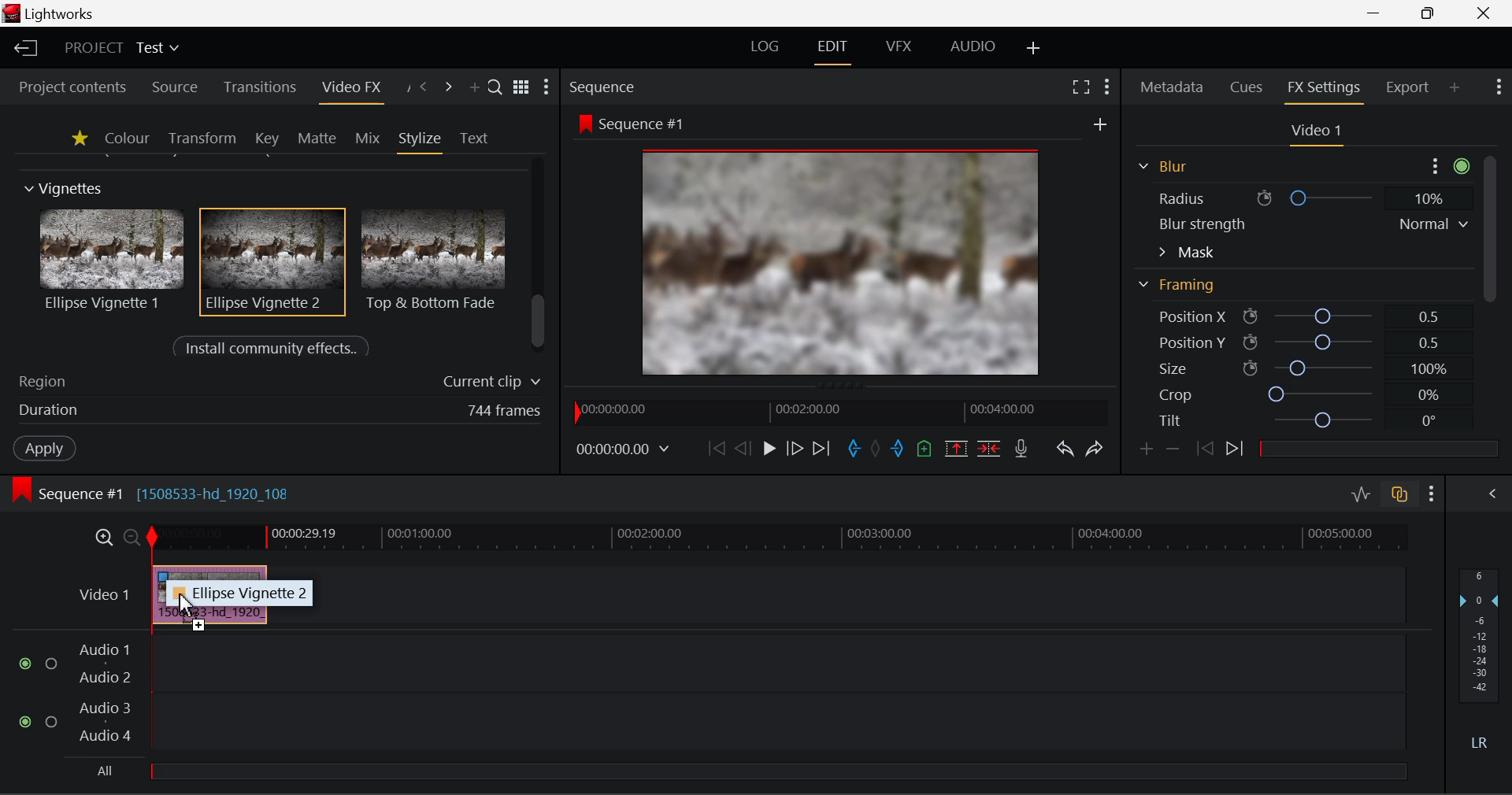 This screenshot has height=795, width=1512. Describe the element at coordinates (72, 87) in the screenshot. I see `Project contents` at that location.